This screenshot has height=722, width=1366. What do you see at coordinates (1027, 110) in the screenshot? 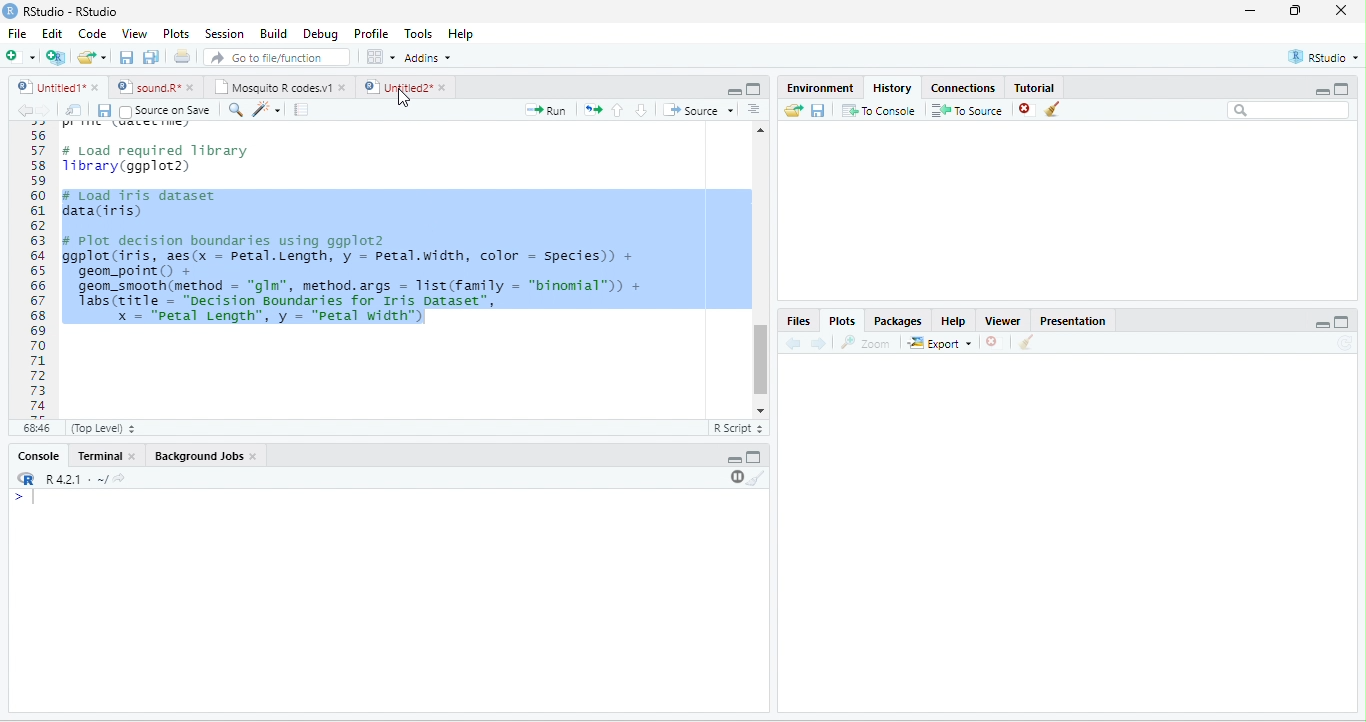
I see `close file` at bounding box center [1027, 110].